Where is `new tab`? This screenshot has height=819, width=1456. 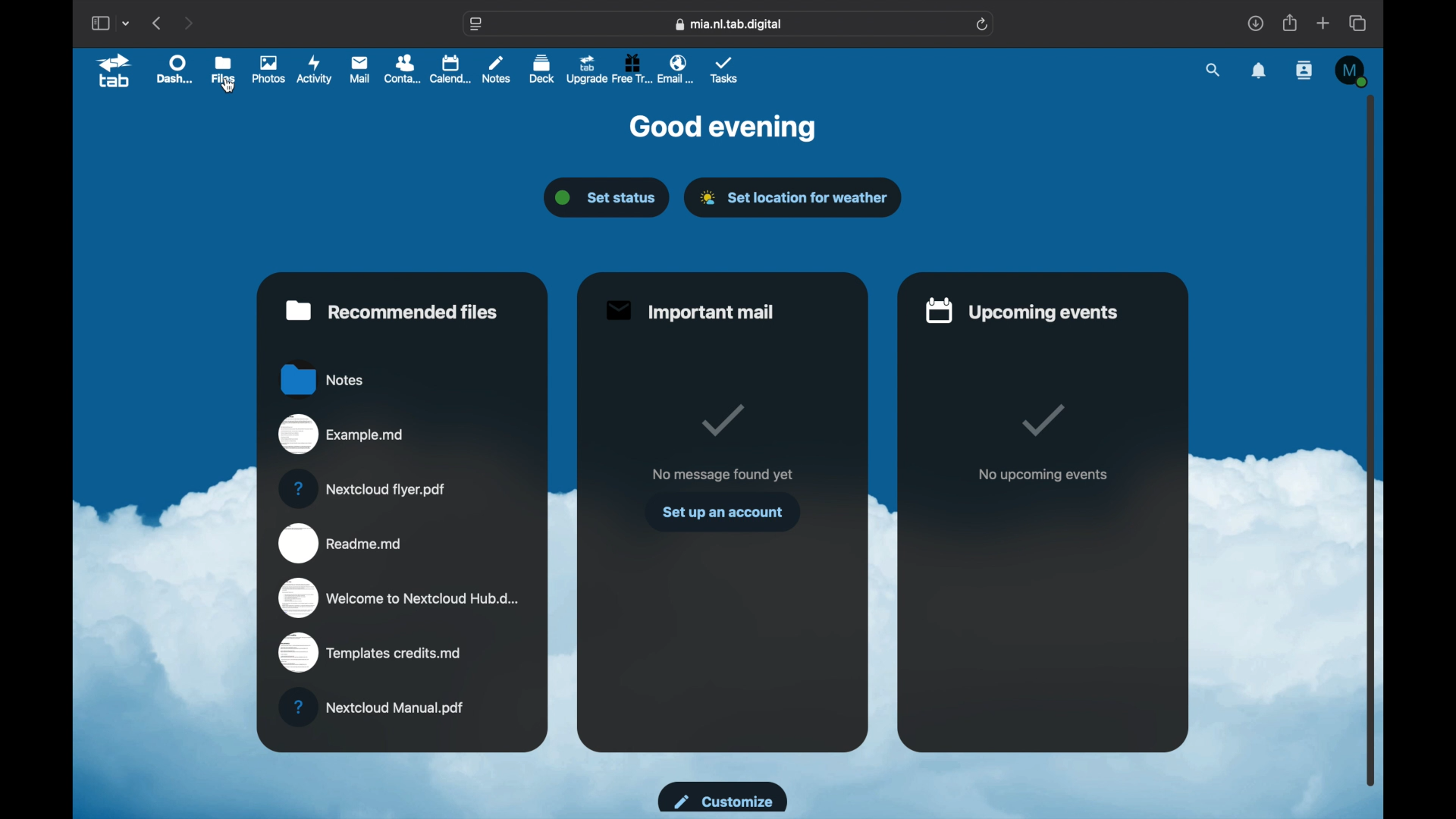
new tab is located at coordinates (1323, 23).